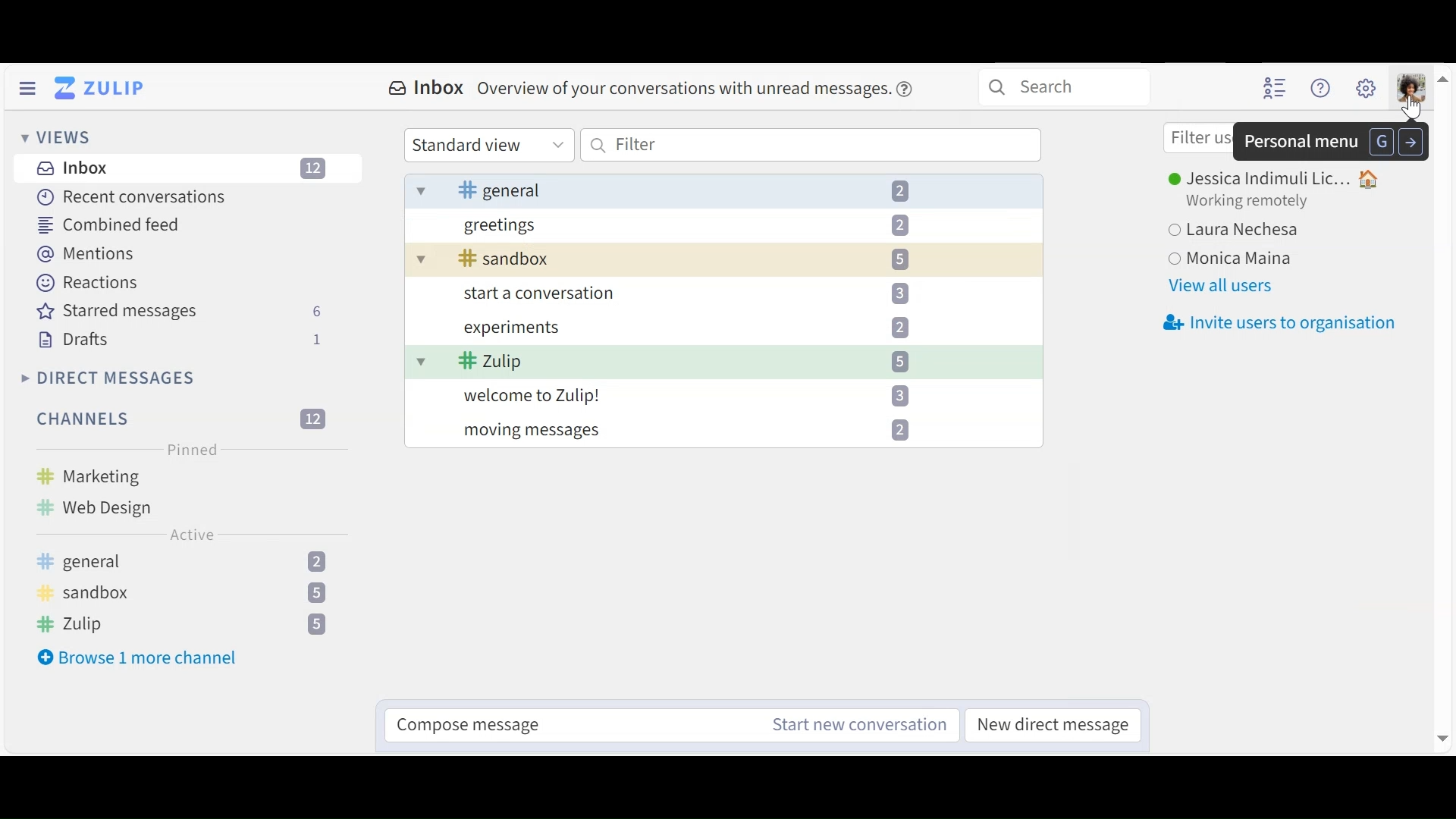 The image size is (1456, 819). I want to click on 2, so click(899, 189).